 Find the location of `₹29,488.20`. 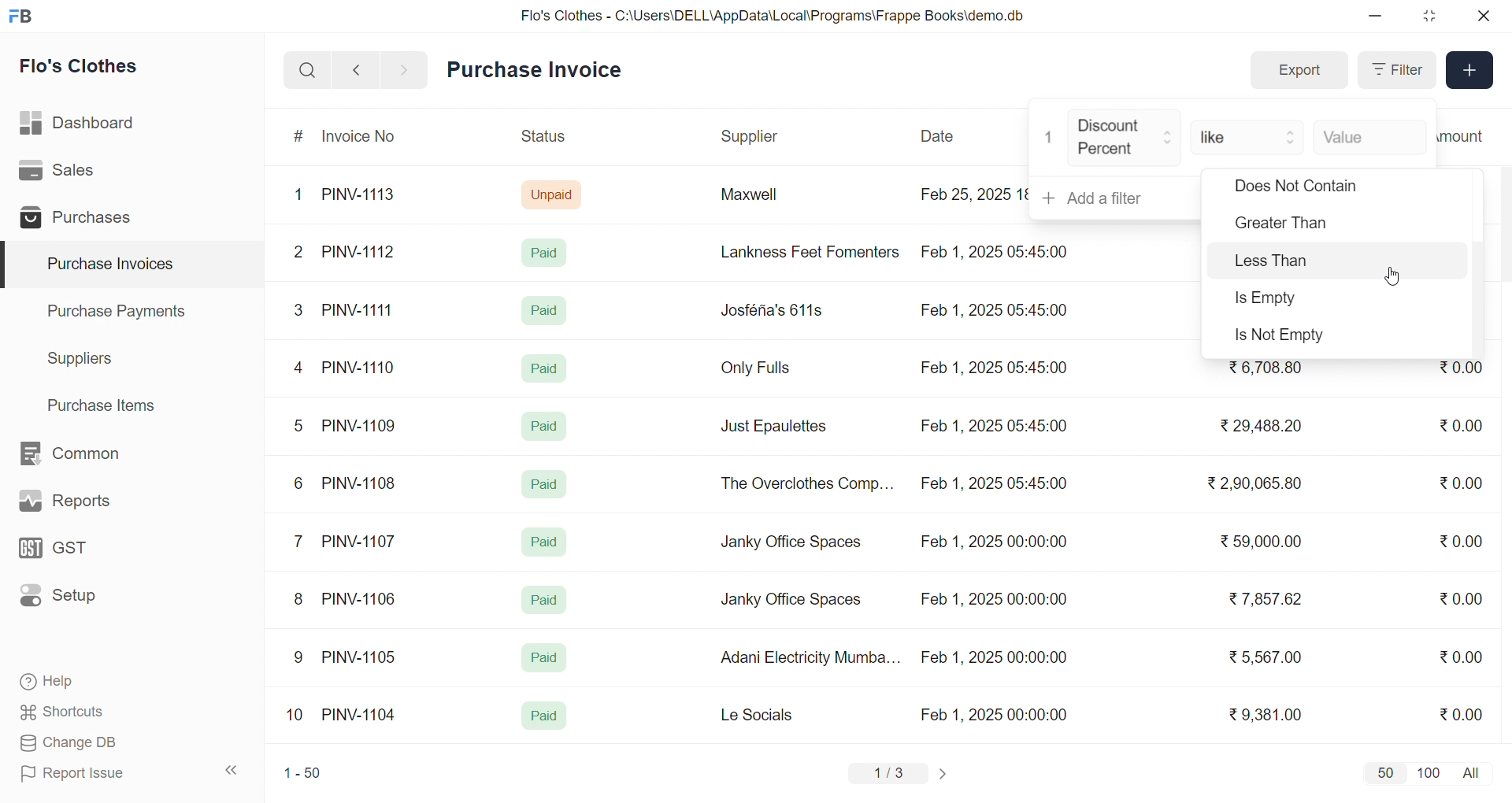

₹29,488.20 is located at coordinates (1256, 426).